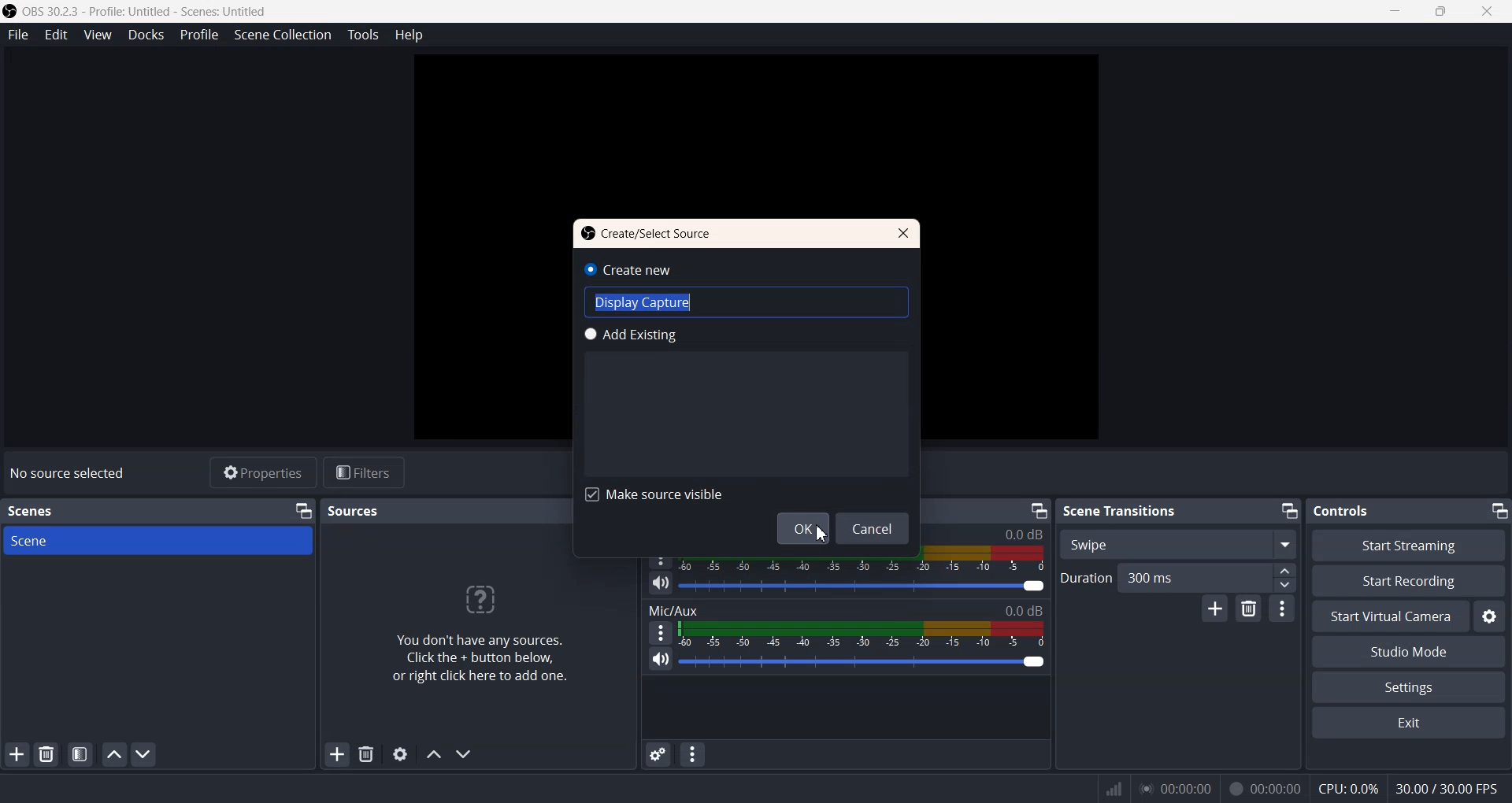 This screenshot has height=803, width=1512. I want to click on Minimize, so click(302, 511).